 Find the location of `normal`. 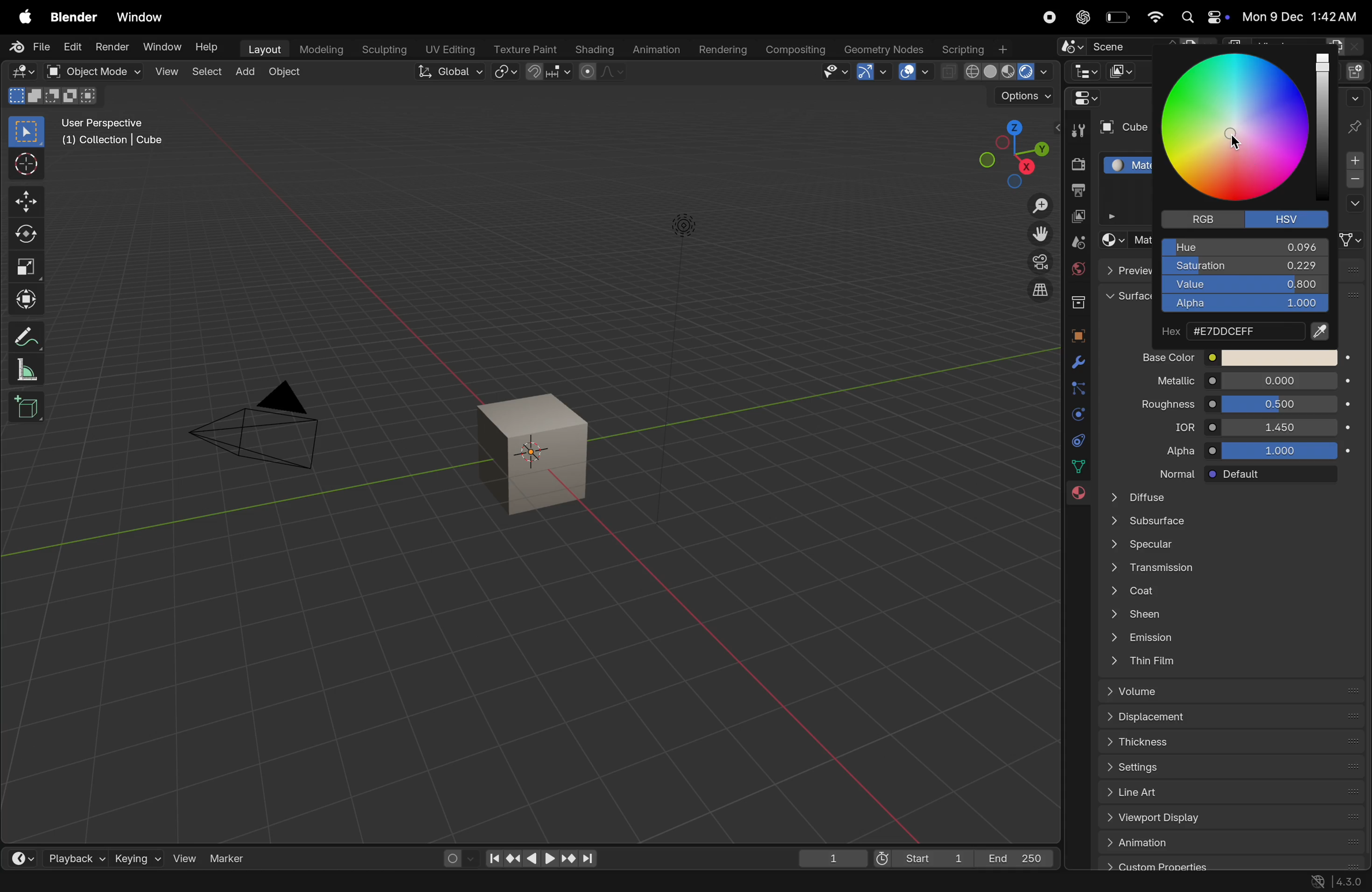

normal is located at coordinates (1166, 473).